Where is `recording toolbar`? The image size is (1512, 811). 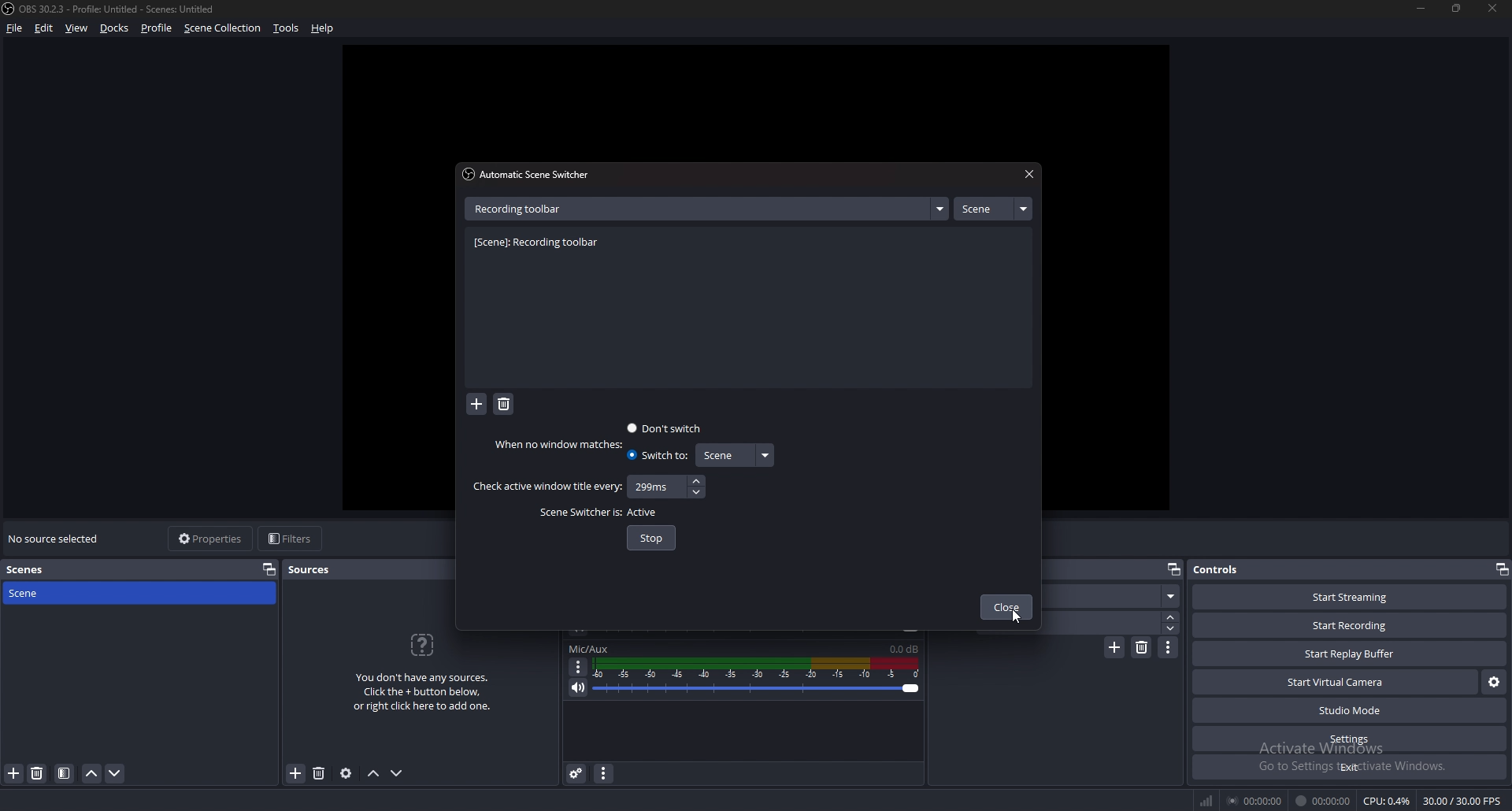
recording toolbar is located at coordinates (541, 243).